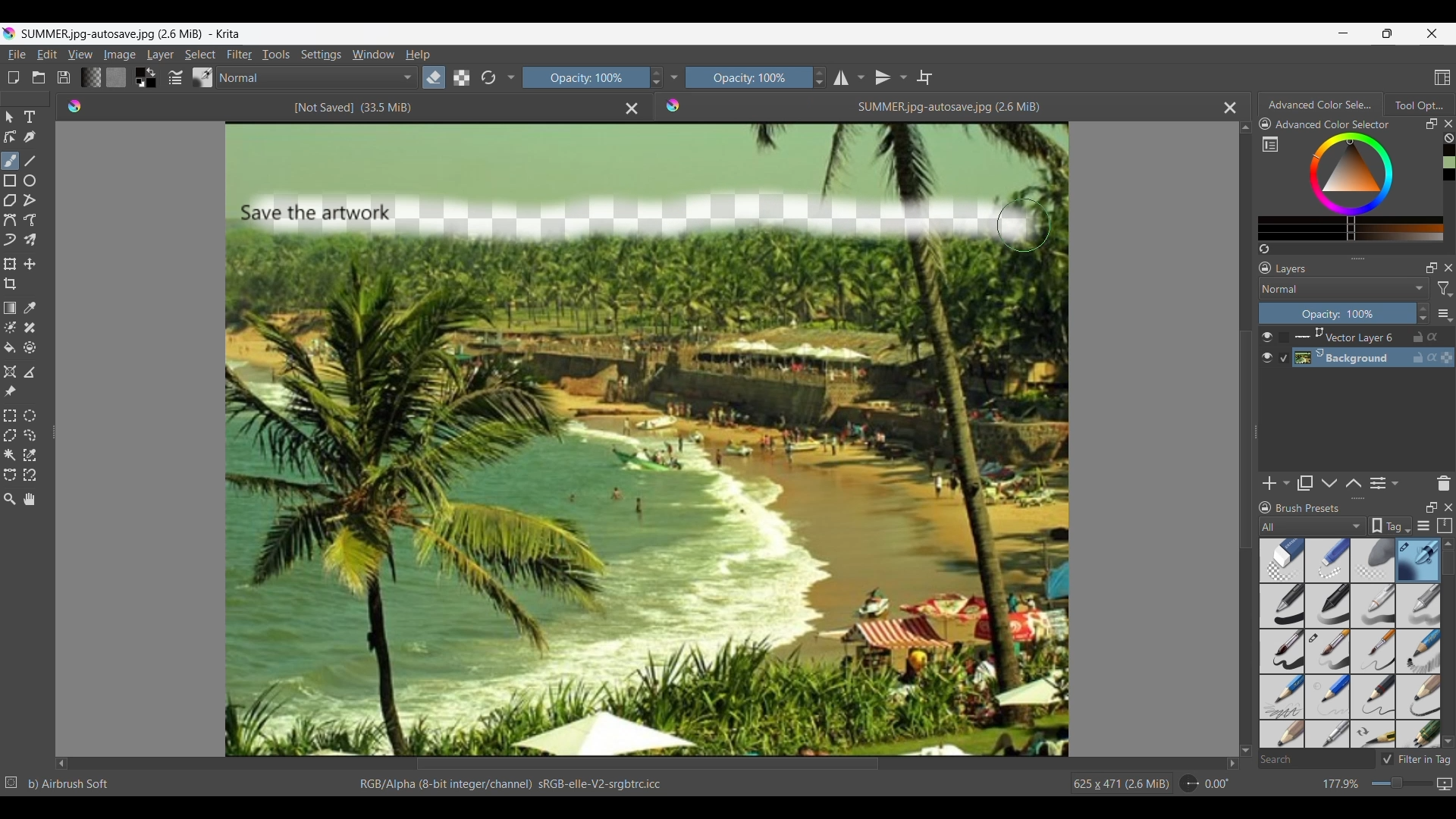 The height and width of the screenshot is (819, 1456). What do you see at coordinates (240, 55) in the screenshot?
I see `Filter` at bounding box center [240, 55].